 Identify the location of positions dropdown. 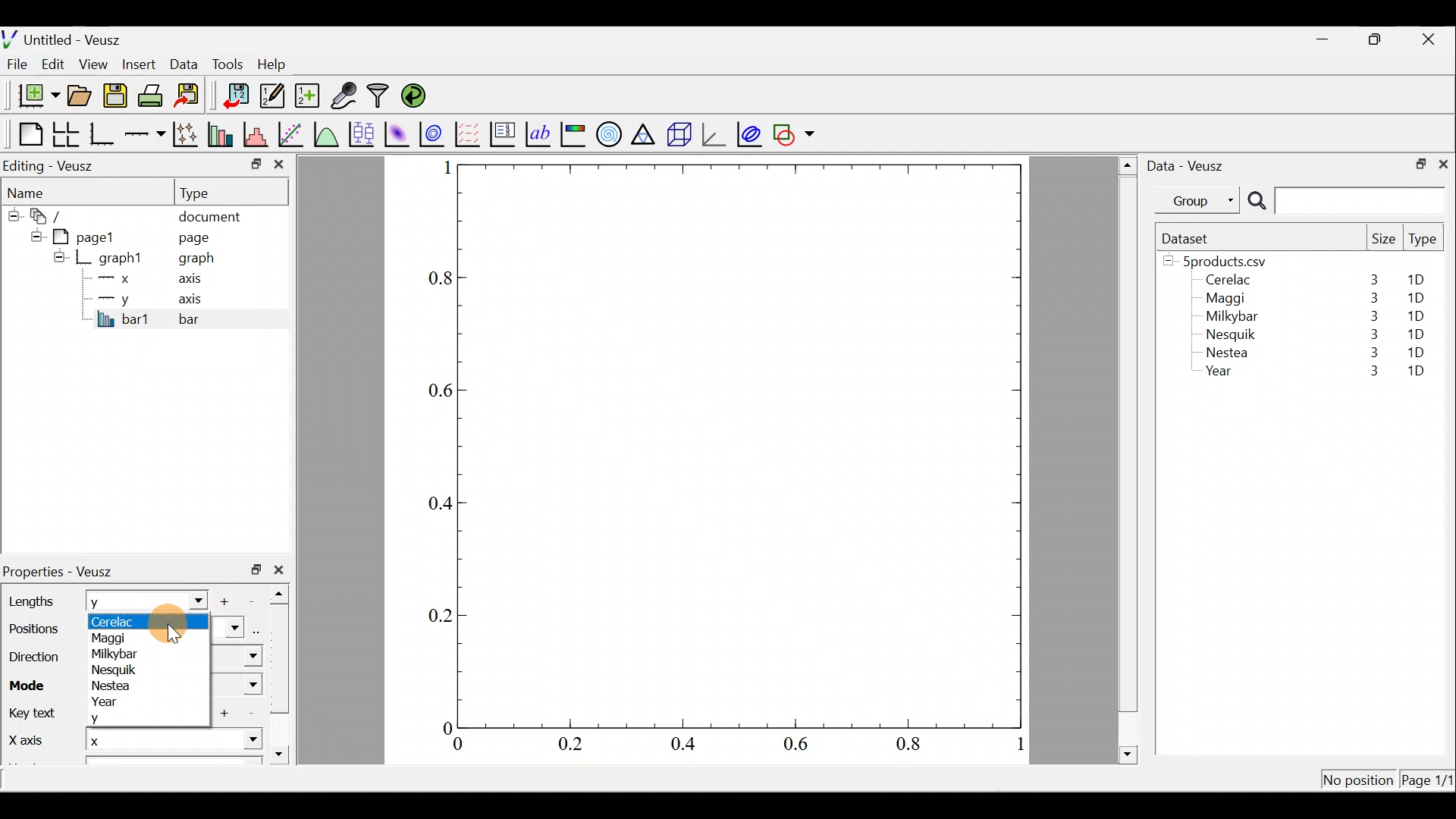
(227, 628).